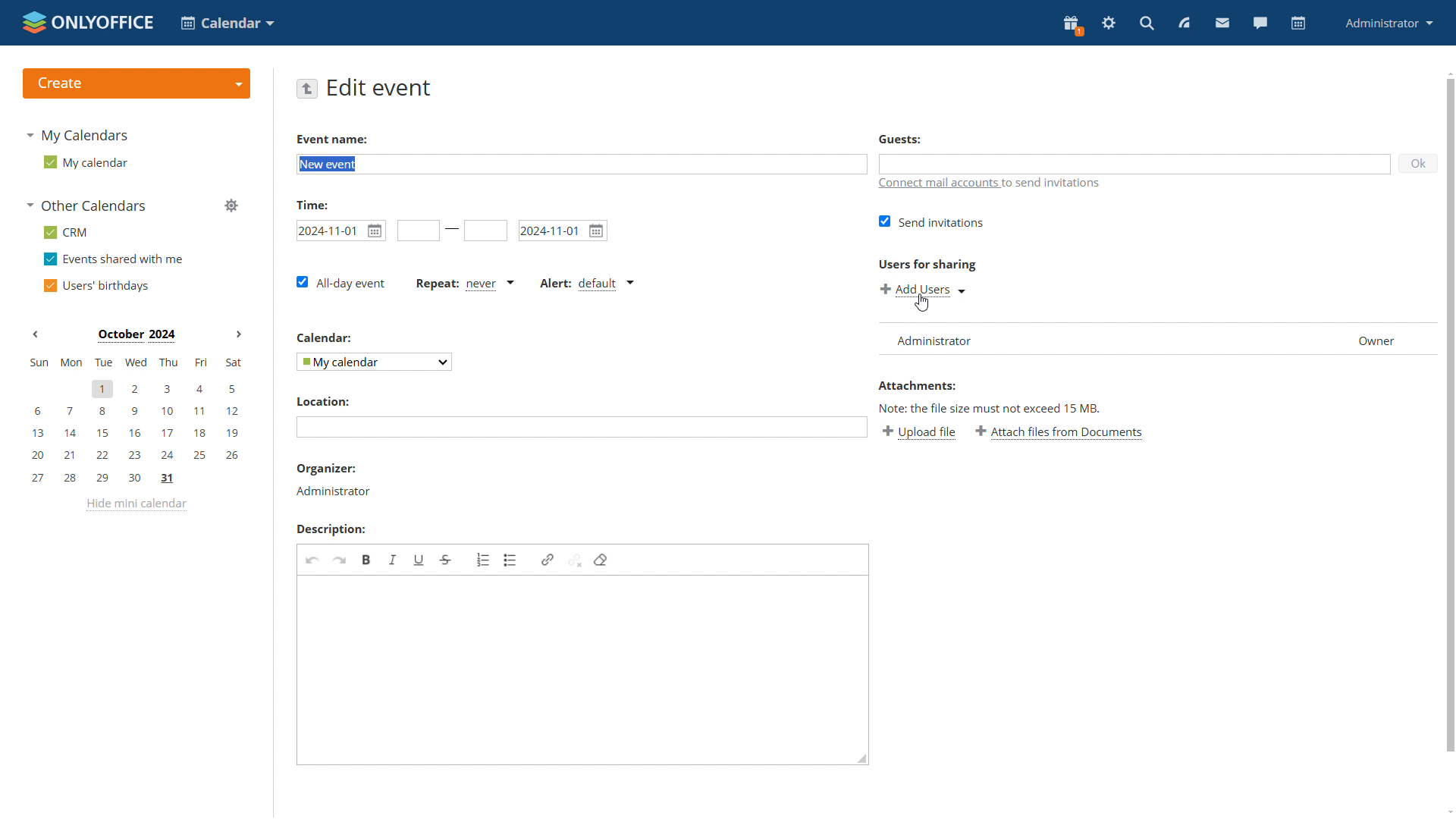 This screenshot has width=1456, height=819. I want to click on go back, so click(308, 89).